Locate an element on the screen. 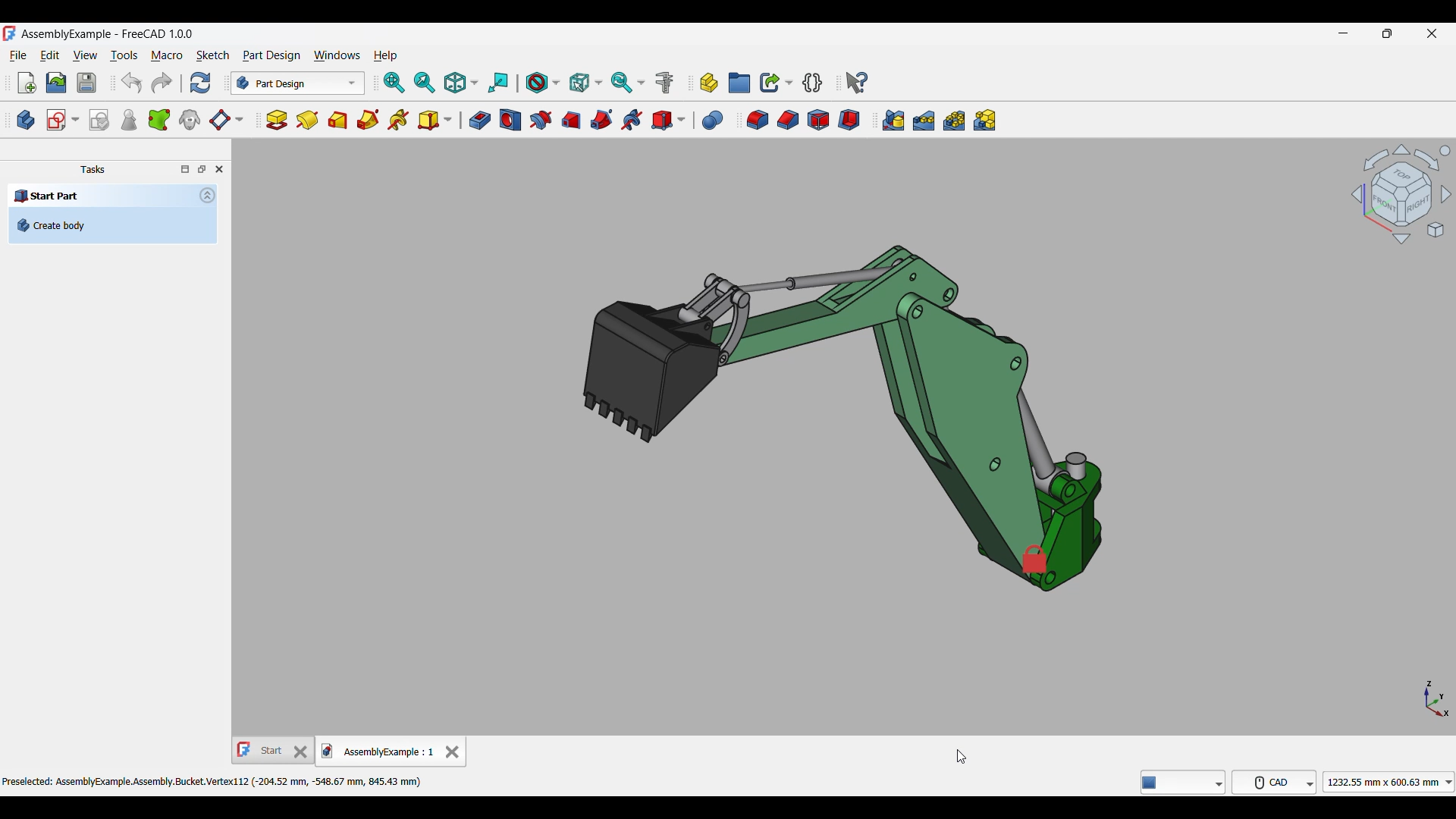 This screenshot has height=819, width=1456. Undo is located at coordinates (131, 83).